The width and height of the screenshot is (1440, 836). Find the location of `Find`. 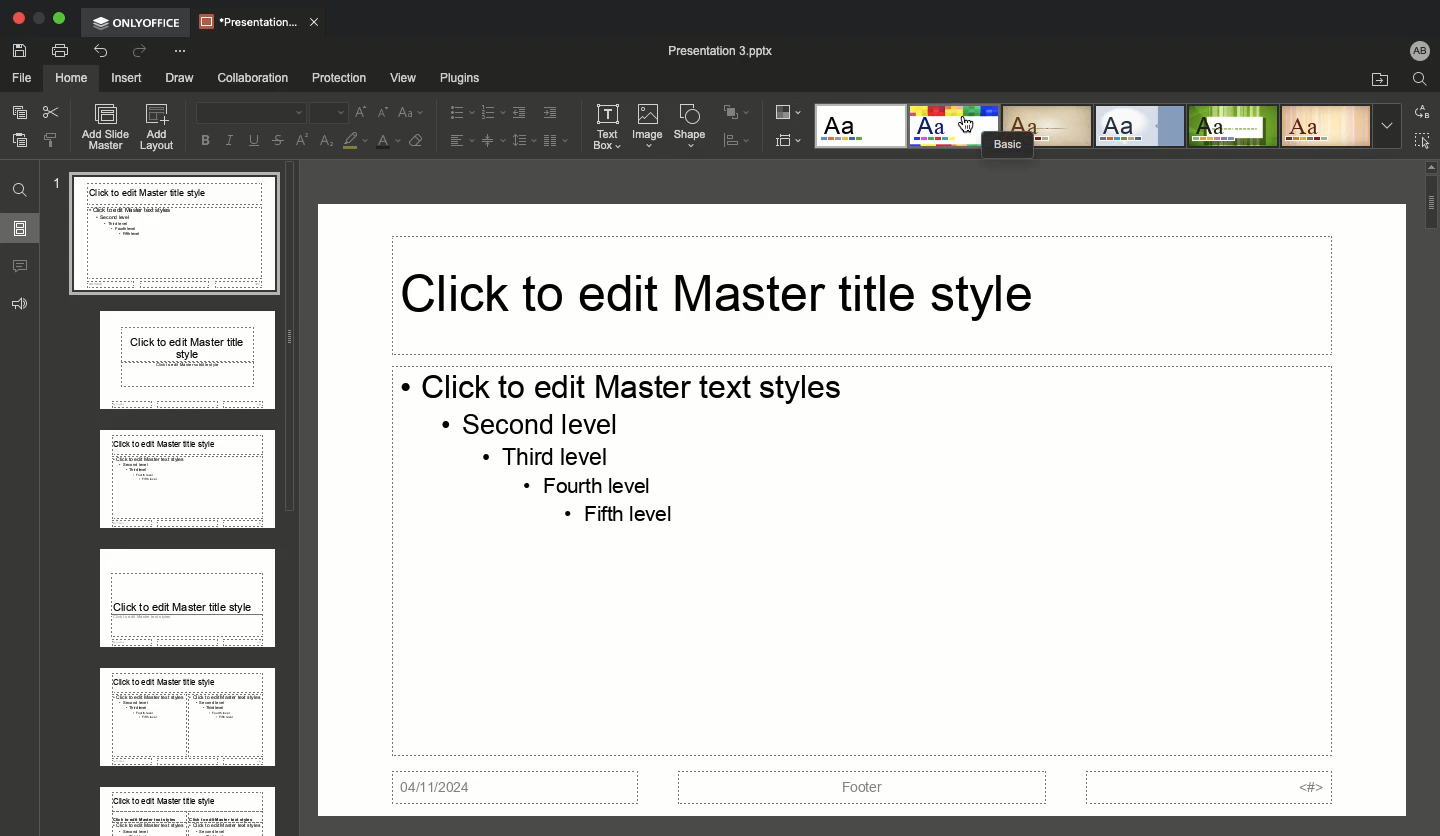

Find is located at coordinates (1420, 79).